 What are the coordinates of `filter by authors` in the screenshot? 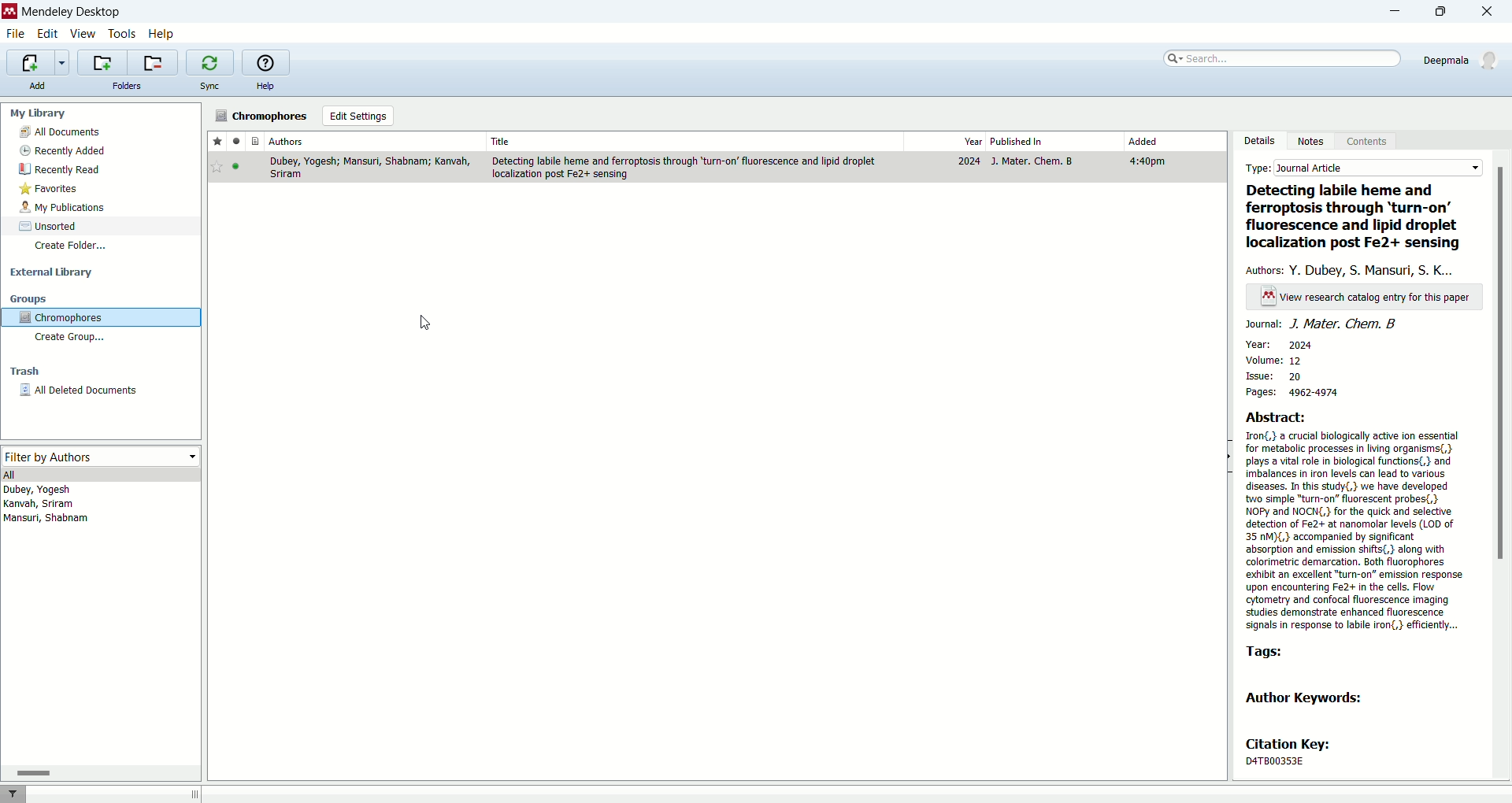 It's located at (102, 457).